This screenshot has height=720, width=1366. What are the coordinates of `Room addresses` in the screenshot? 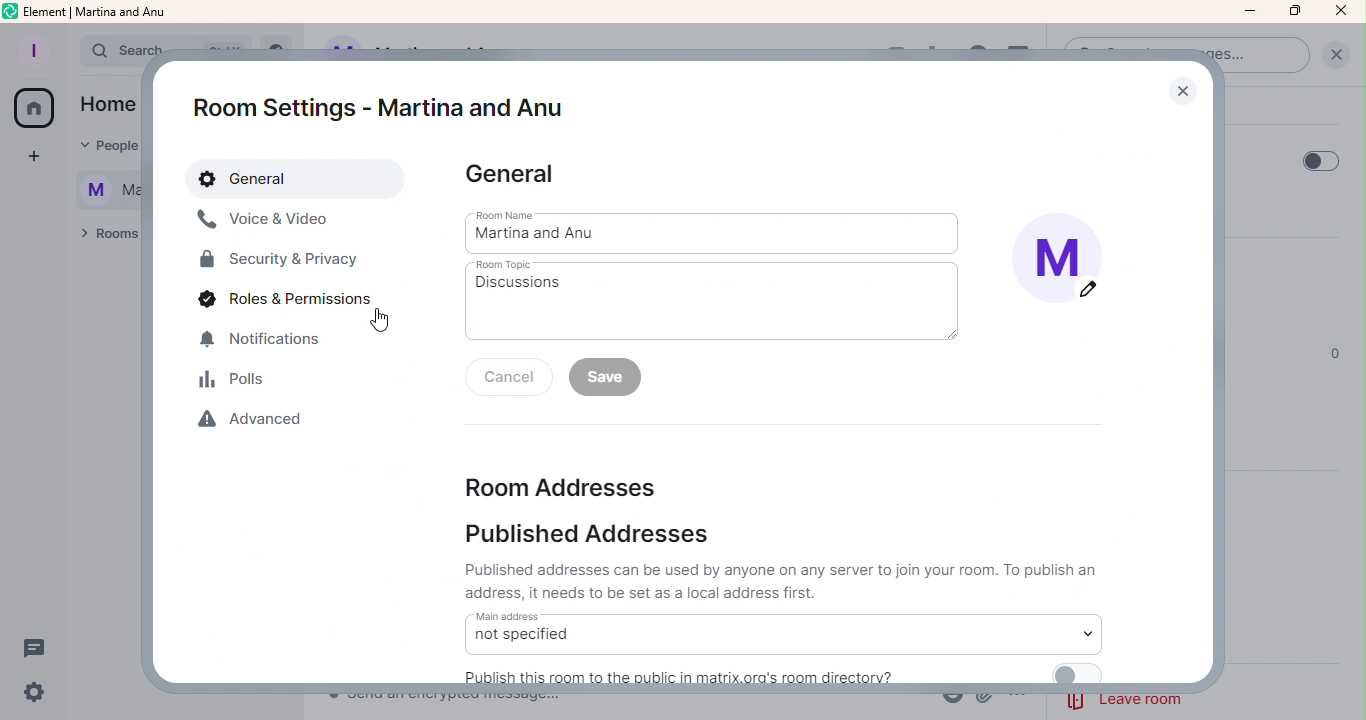 It's located at (557, 488).